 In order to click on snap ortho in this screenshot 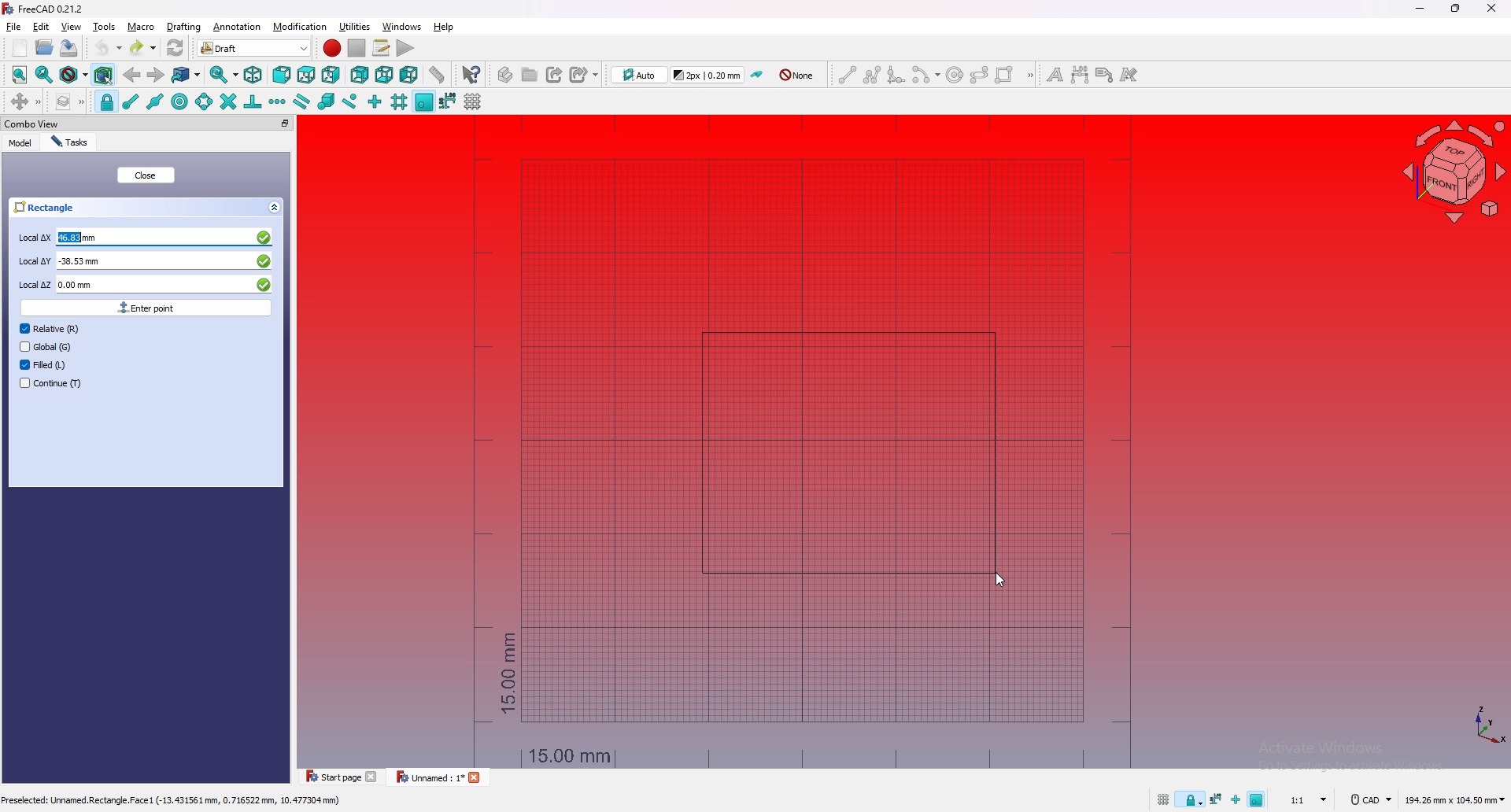, I will do `click(1235, 802)`.